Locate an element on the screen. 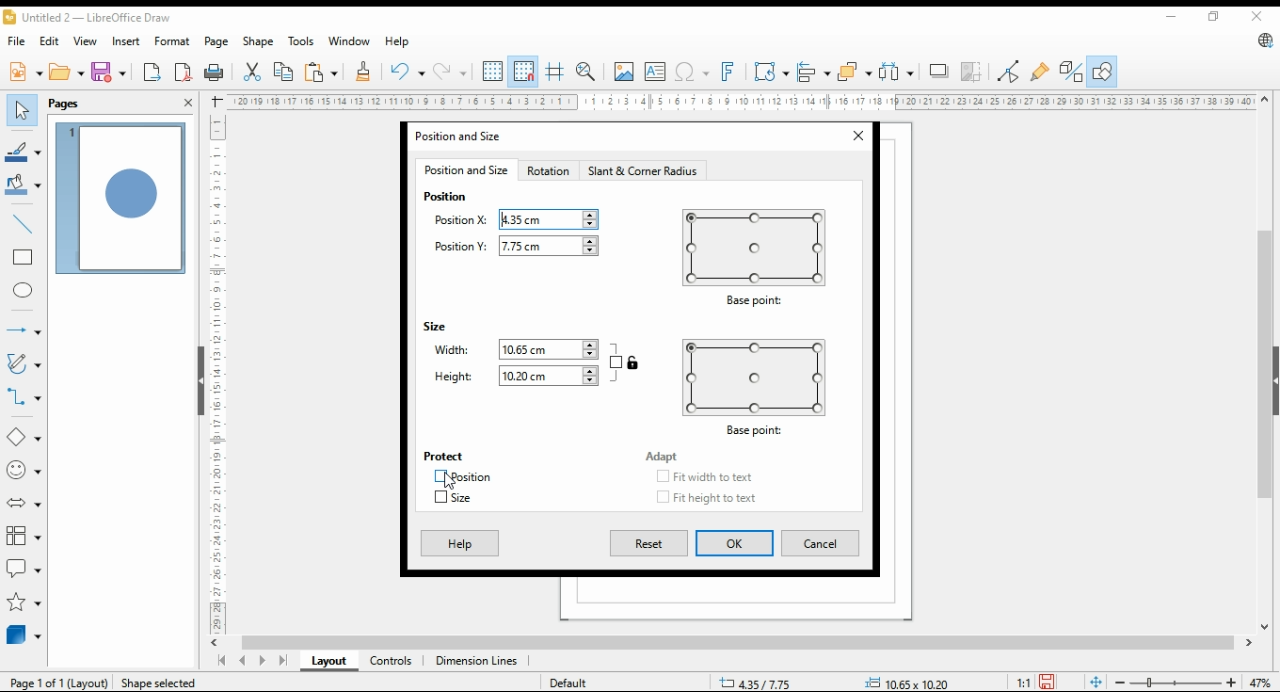 This screenshot has width=1280, height=692. insert is located at coordinates (126, 41).